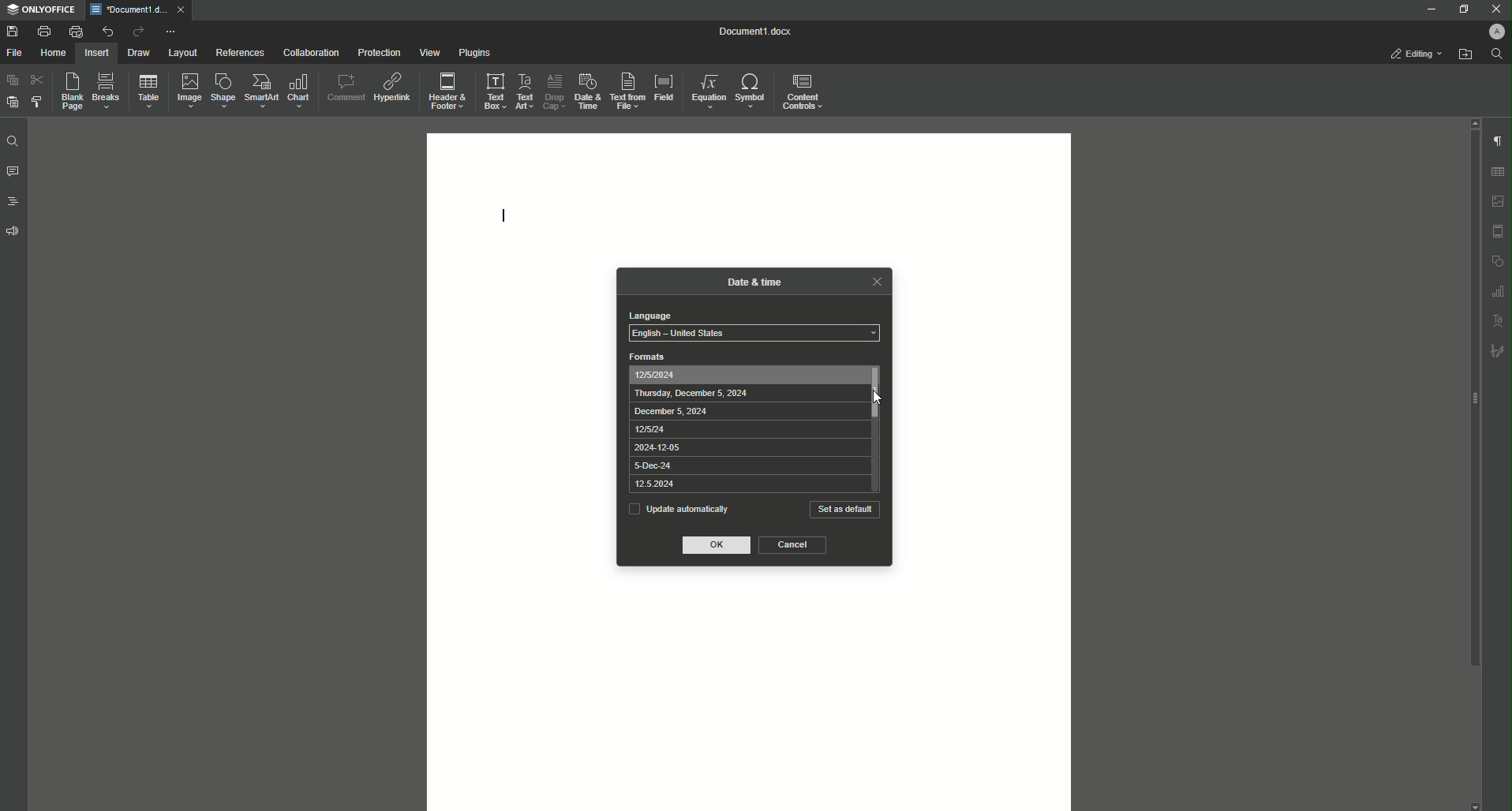  What do you see at coordinates (678, 508) in the screenshot?
I see `Update automatically` at bounding box center [678, 508].